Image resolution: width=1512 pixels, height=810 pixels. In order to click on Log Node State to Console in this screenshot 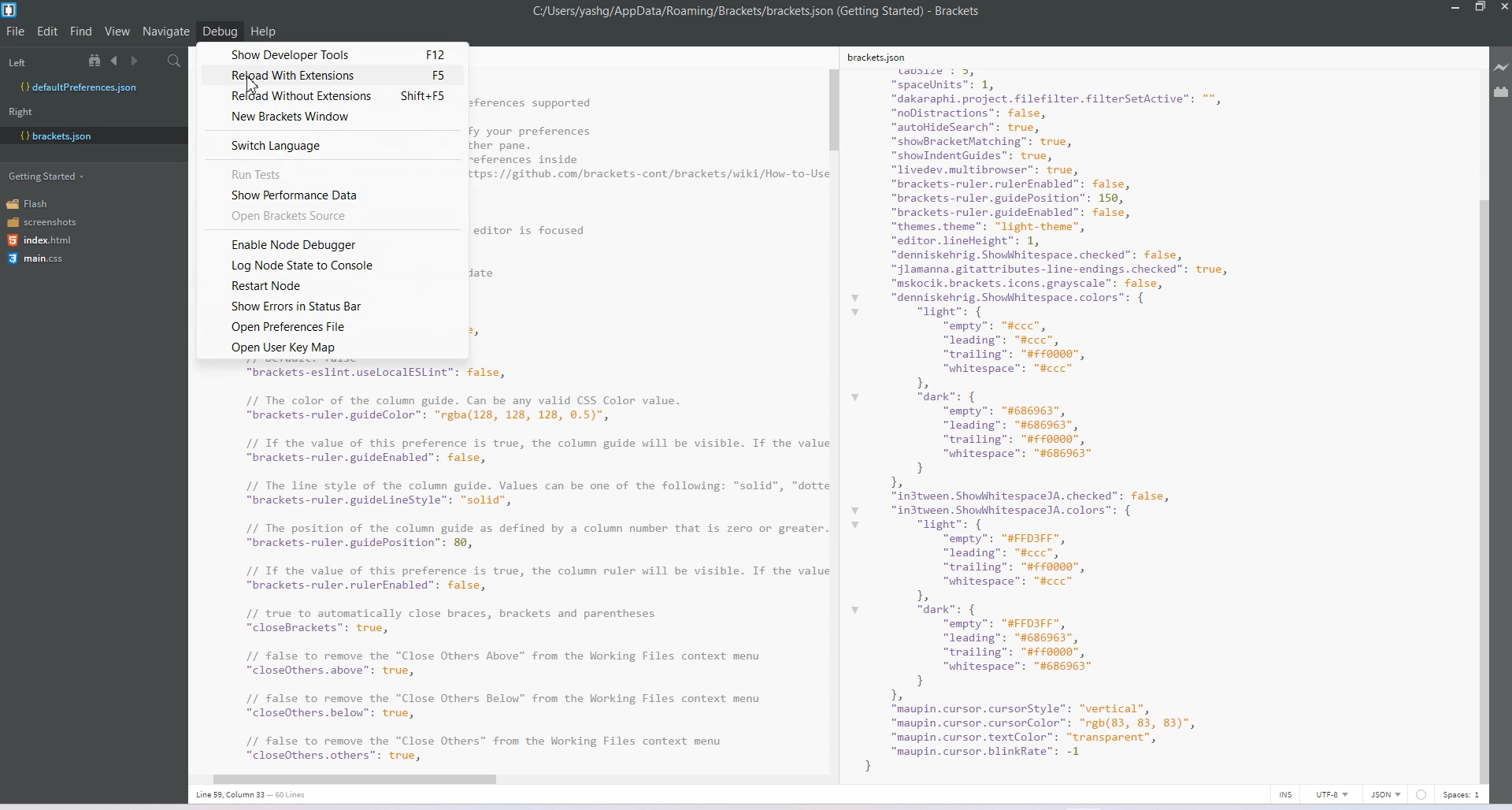, I will do `click(330, 265)`.